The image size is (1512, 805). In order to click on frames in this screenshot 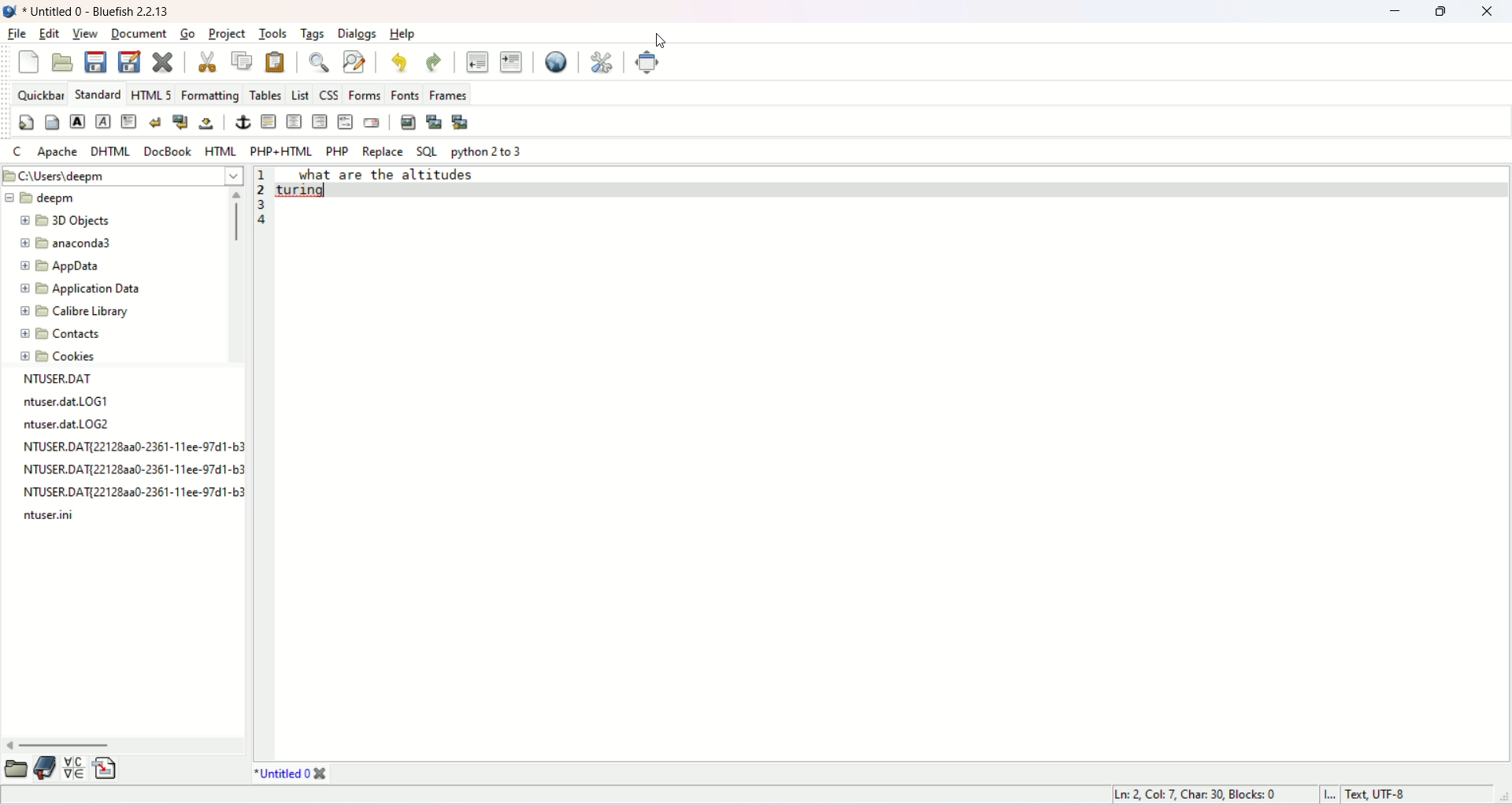, I will do `click(447, 92)`.